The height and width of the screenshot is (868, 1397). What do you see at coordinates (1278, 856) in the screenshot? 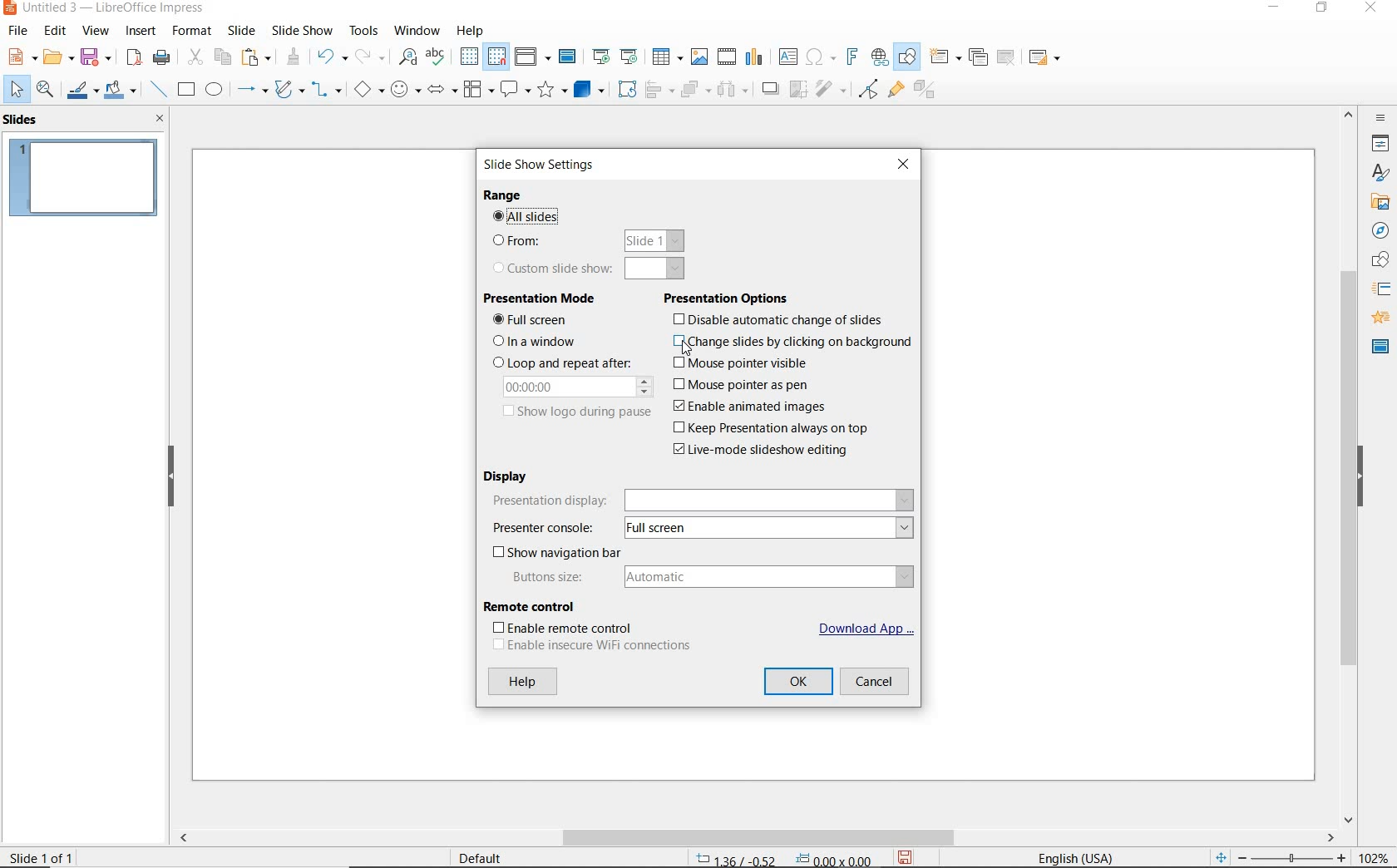
I see `ZOOM OUR OR ZOOM IN` at bounding box center [1278, 856].